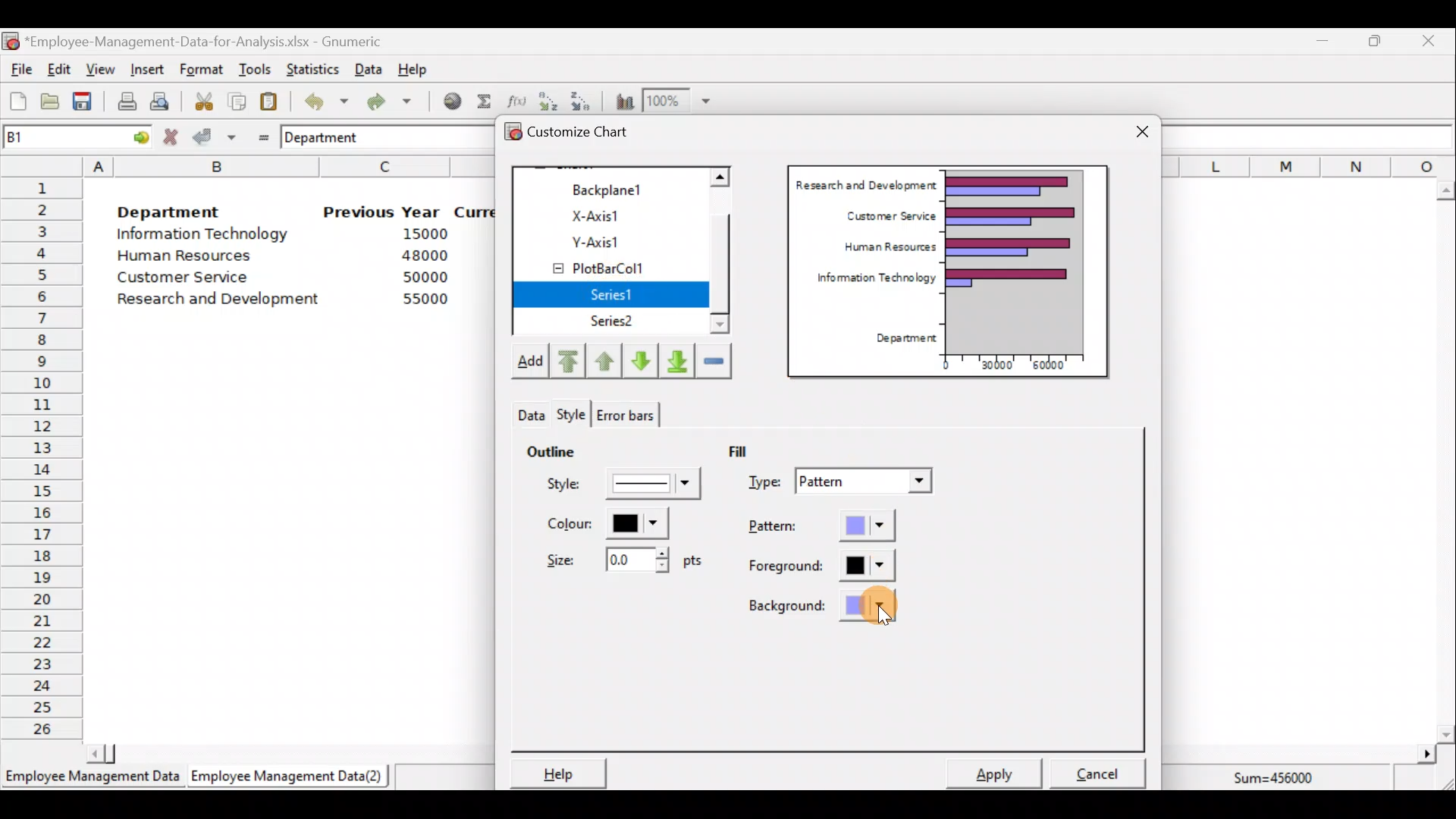 The image size is (1456, 819). Describe the element at coordinates (11, 42) in the screenshot. I see `Gnumeric logo` at that location.